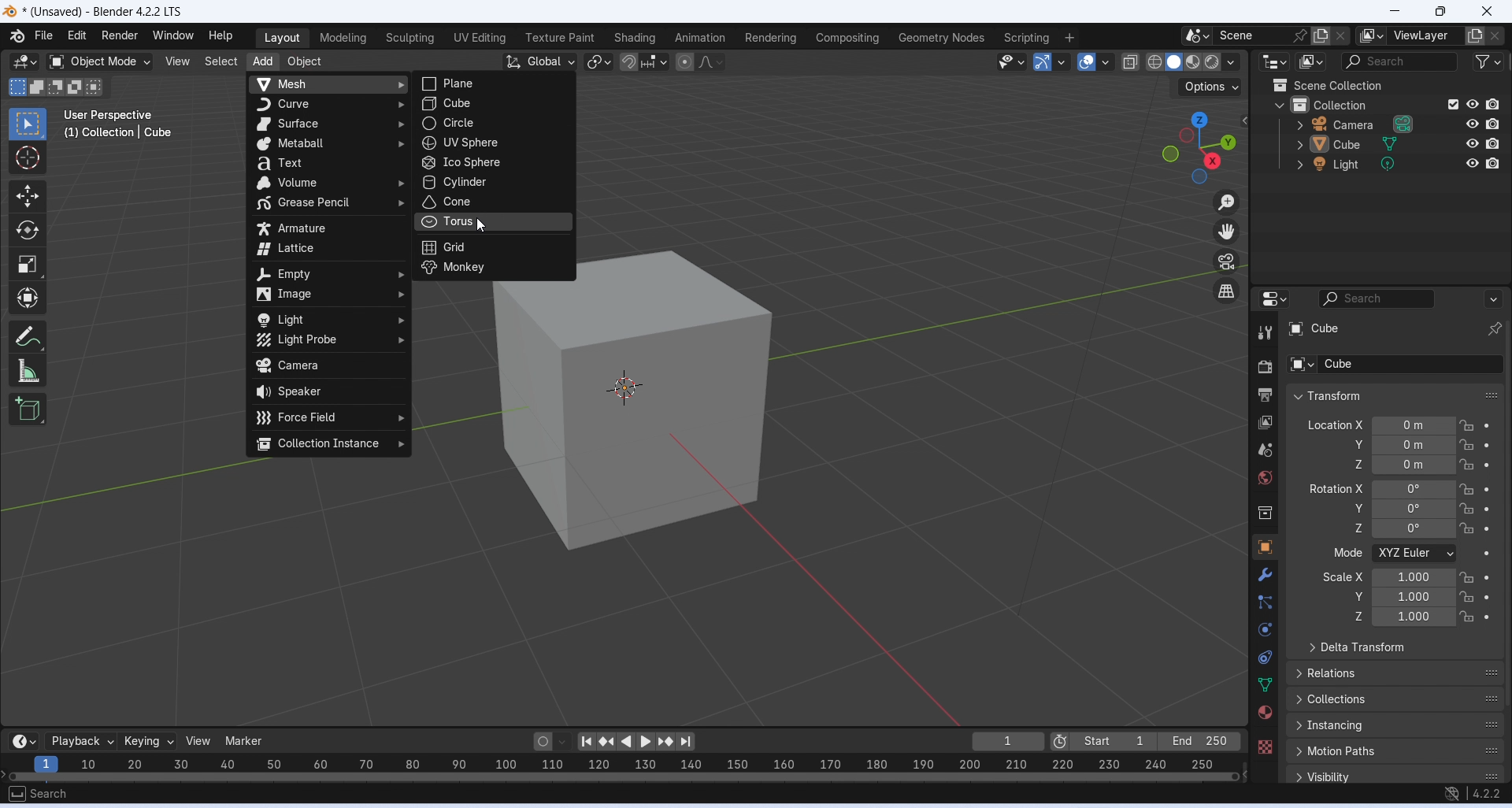 This screenshot has width=1512, height=808. I want to click on Annotate, so click(29, 336).